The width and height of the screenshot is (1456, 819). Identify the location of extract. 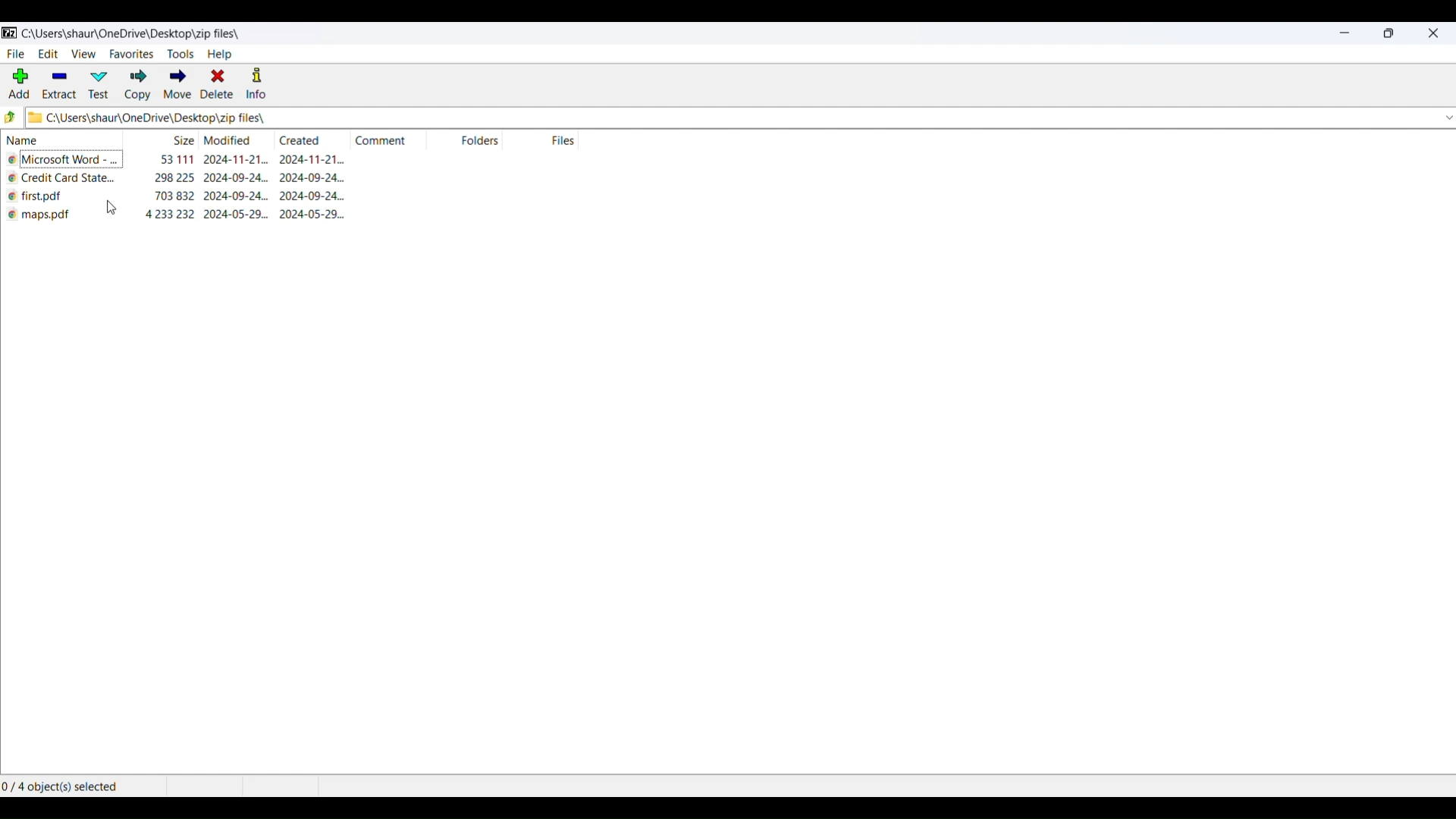
(58, 86).